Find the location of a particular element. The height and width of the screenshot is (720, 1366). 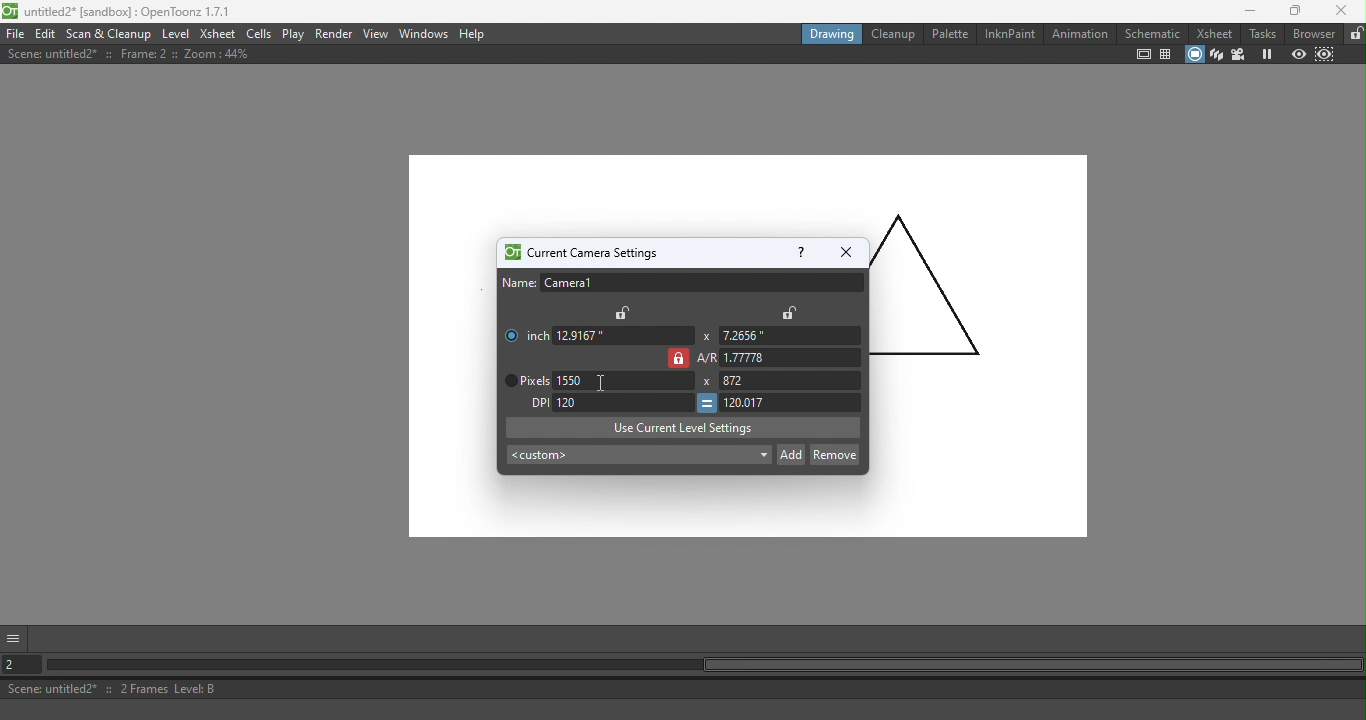

X is located at coordinates (705, 336).